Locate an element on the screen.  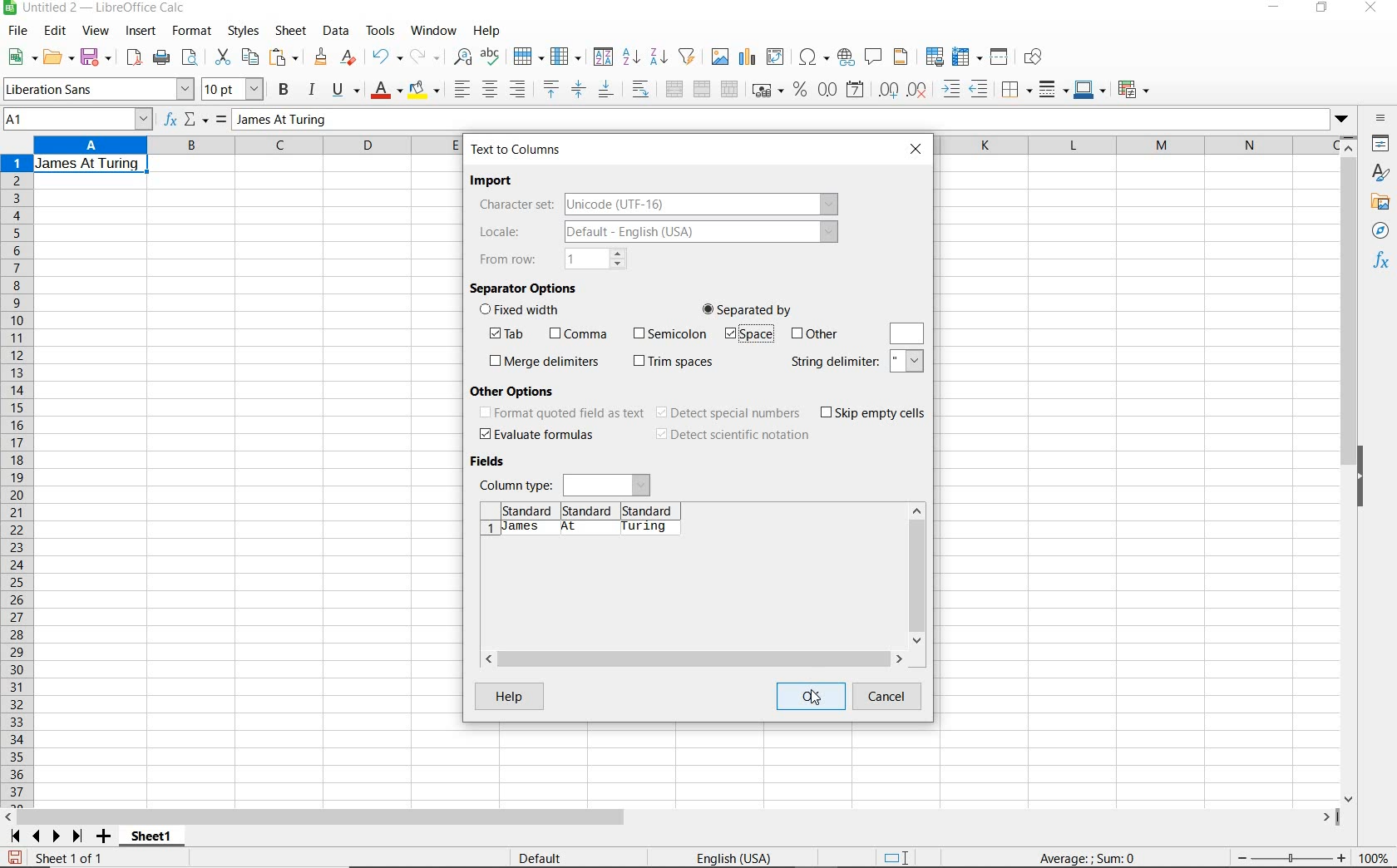
comma is located at coordinates (577, 334).